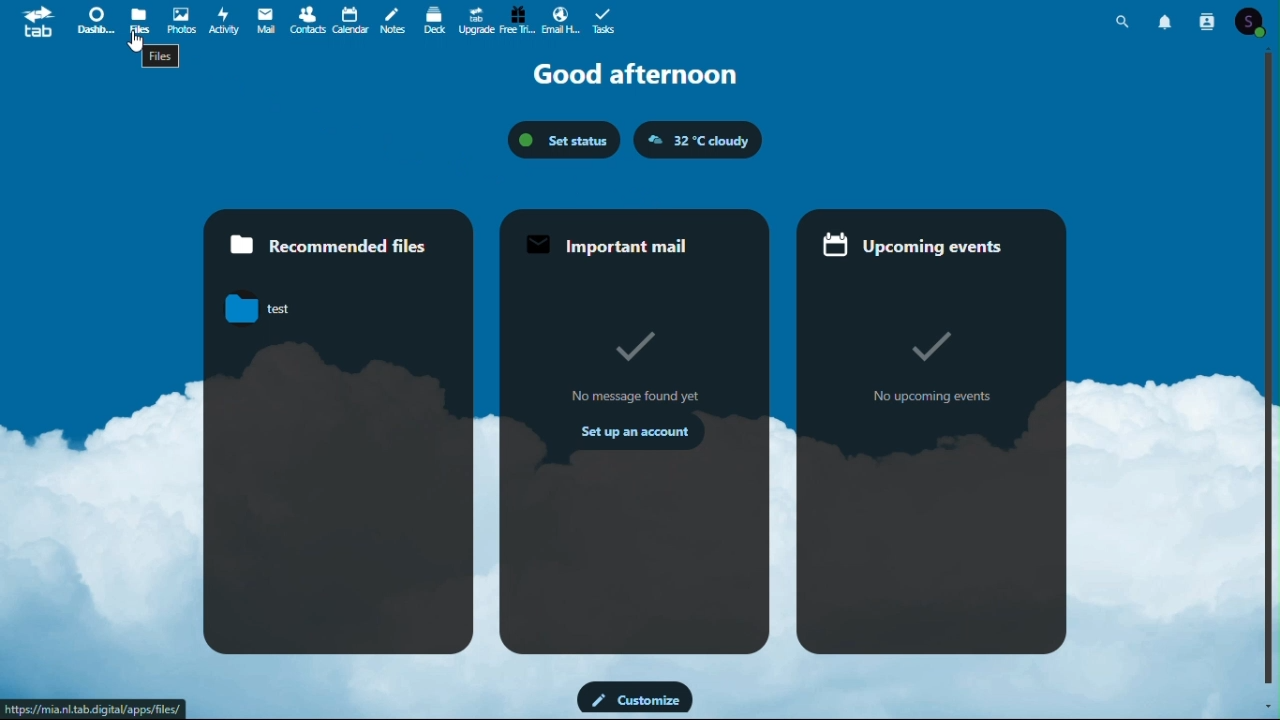 This screenshot has height=720, width=1280. I want to click on Activity, so click(223, 20).